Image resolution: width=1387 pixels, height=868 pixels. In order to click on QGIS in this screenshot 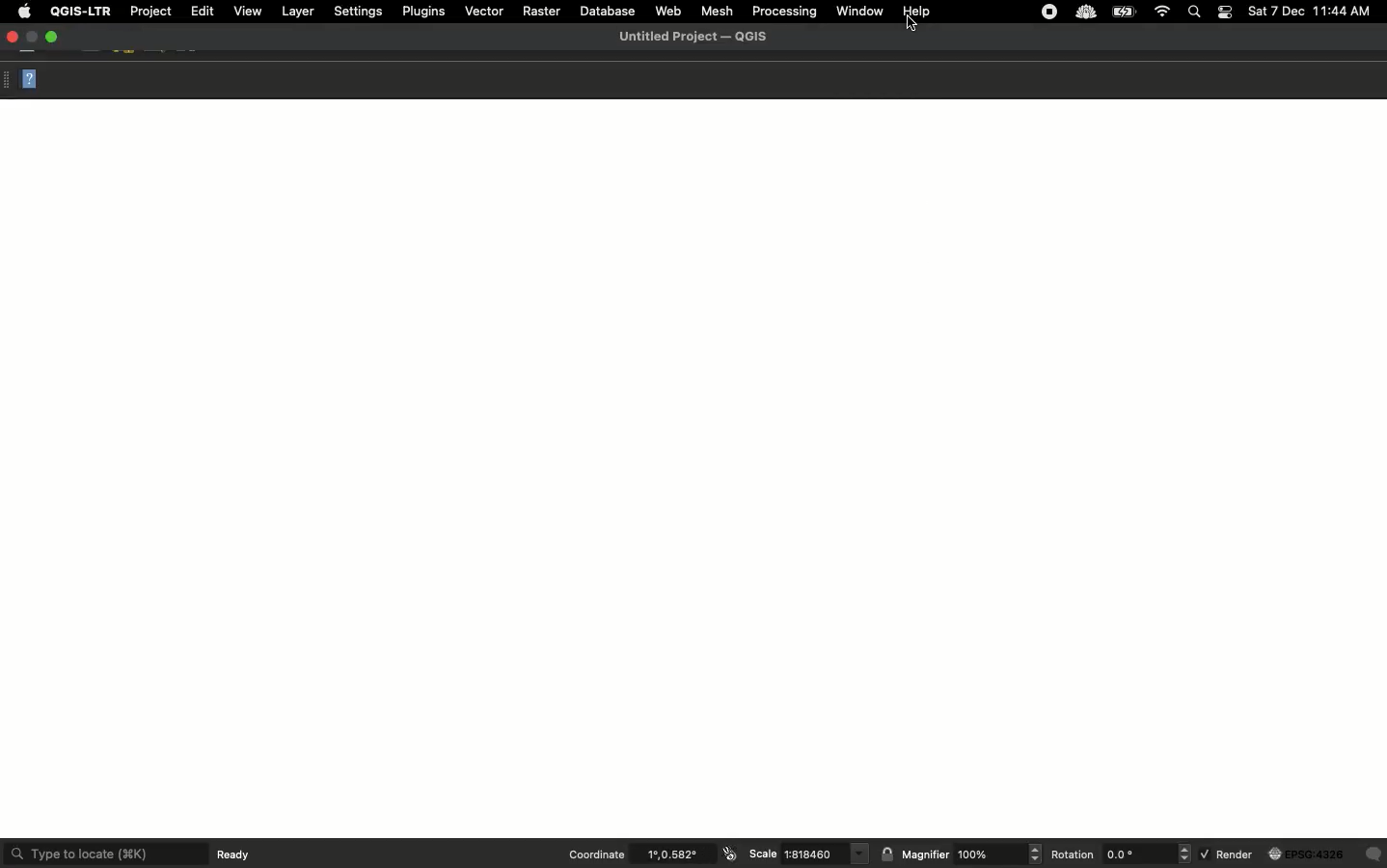, I will do `click(80, 12)`.